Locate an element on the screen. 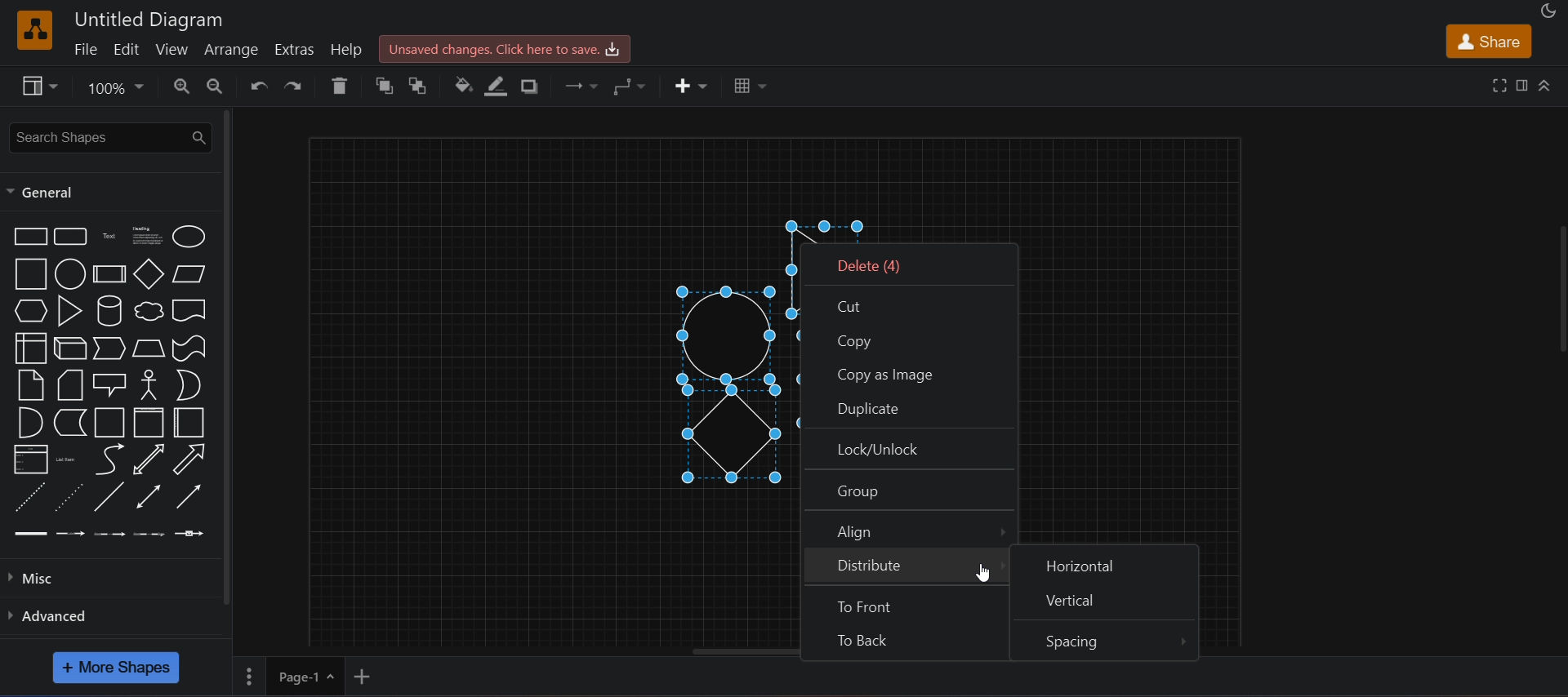 Image resolution: width=1568 pixels, height=697 pixels. document is located at coordinates (189, 311).